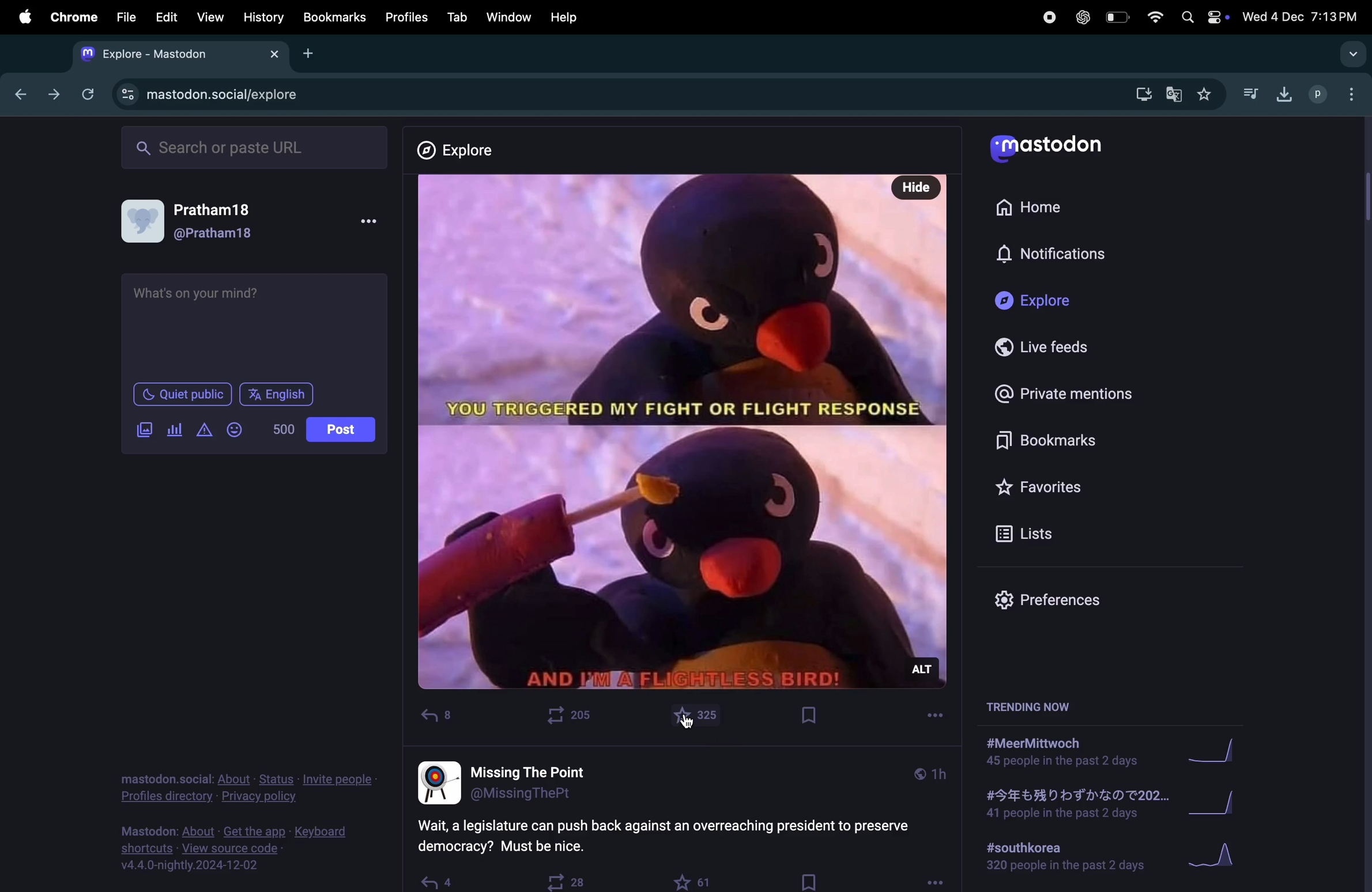 This screenshot has height=892, width=1372. What do you see at coordinates (1218, 854) in the screenshot?
I see `Graph` at bounding box center [1218, 854].